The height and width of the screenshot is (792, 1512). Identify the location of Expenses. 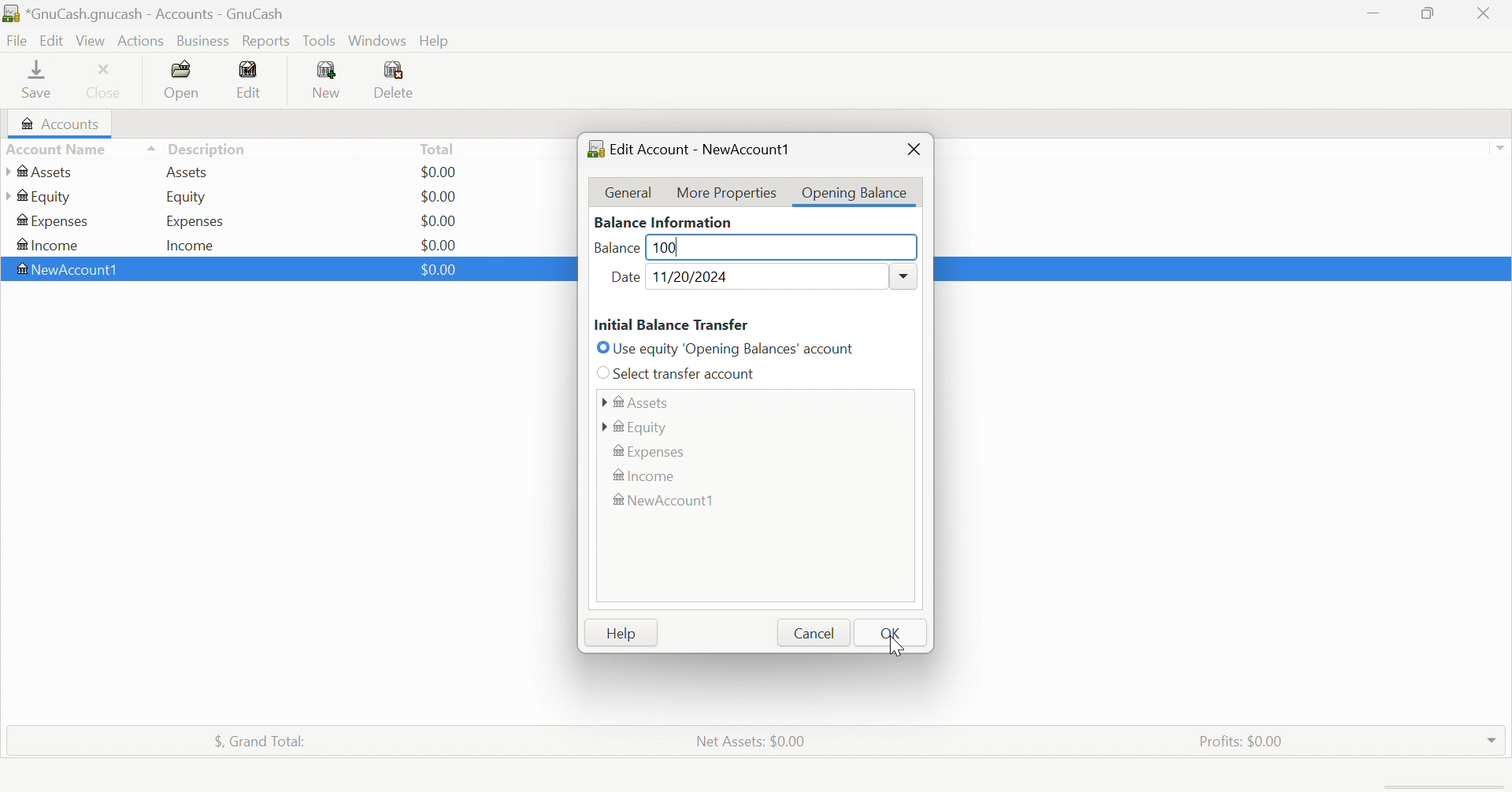
(193, 220).